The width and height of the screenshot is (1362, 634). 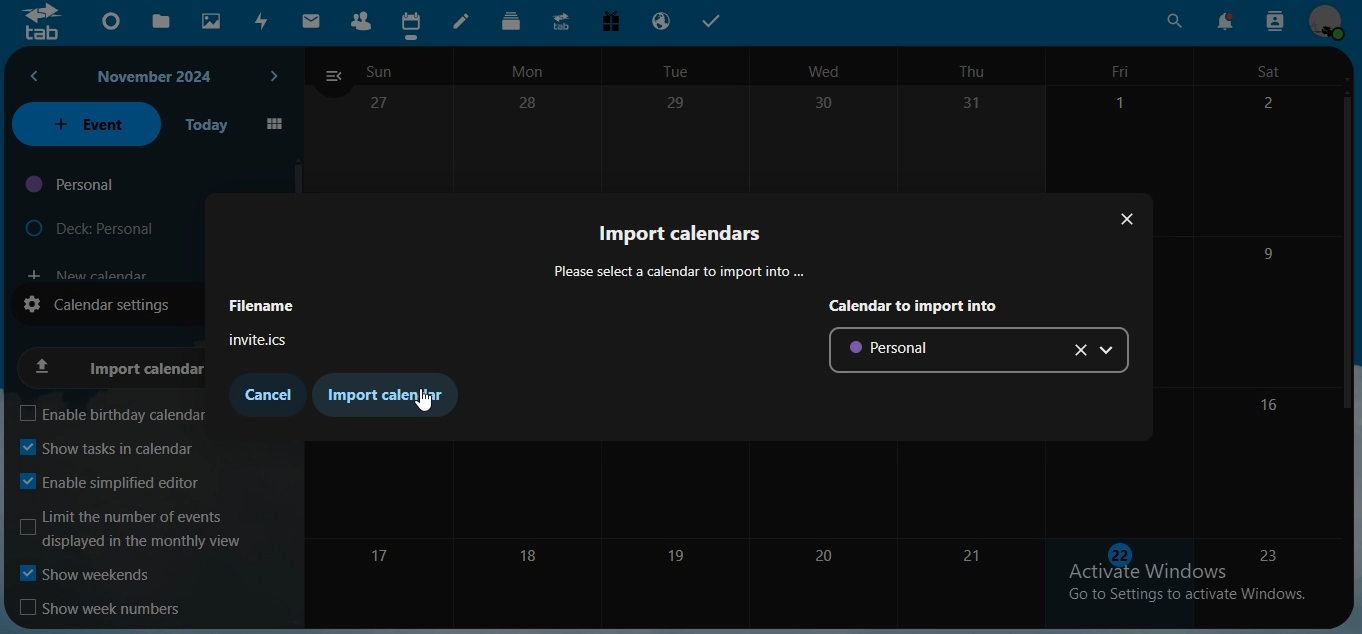 I want to click on notes, so click(x=465, y=22).